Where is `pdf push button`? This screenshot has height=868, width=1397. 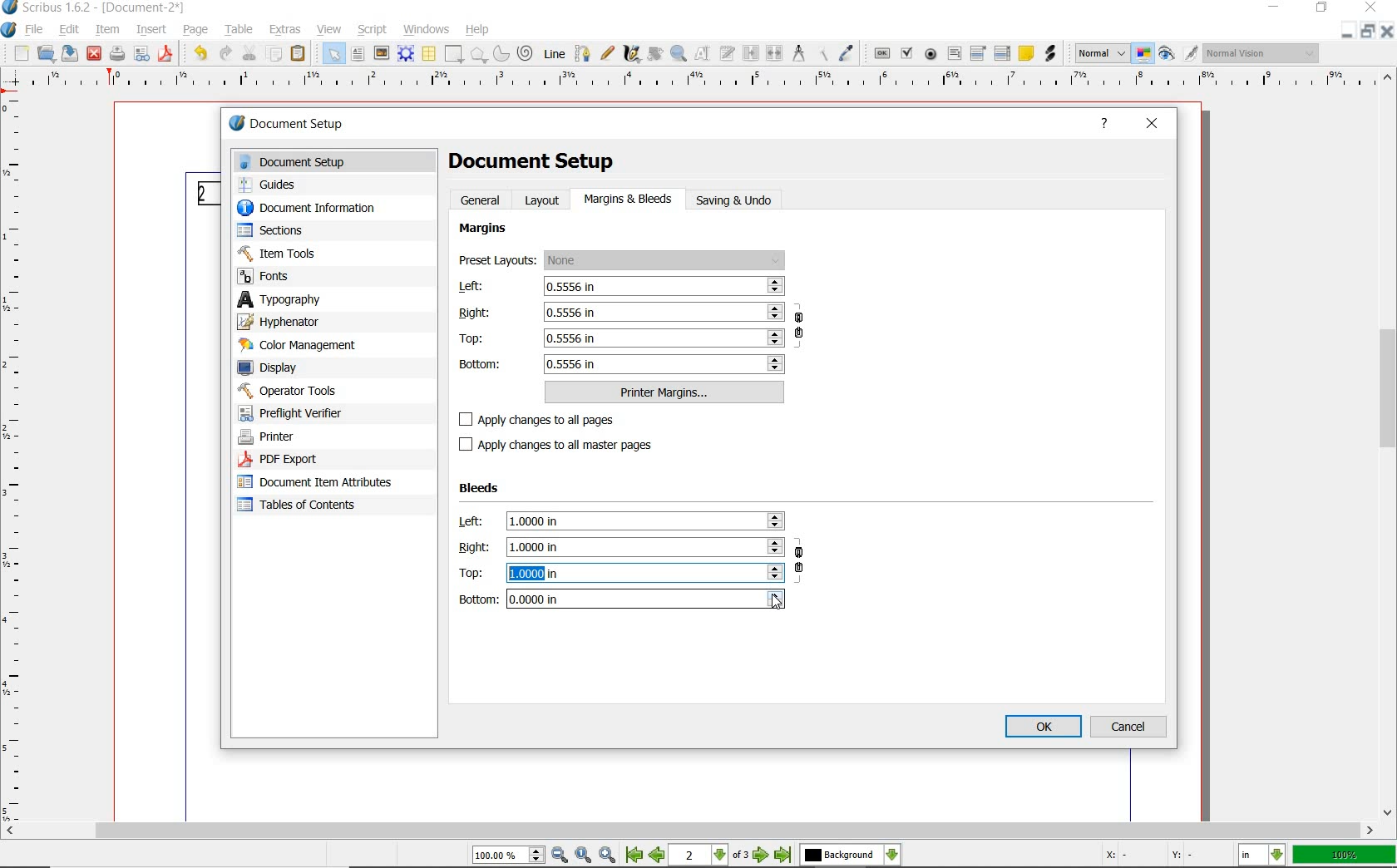
pdf push button is located at coordinates (883, 54).